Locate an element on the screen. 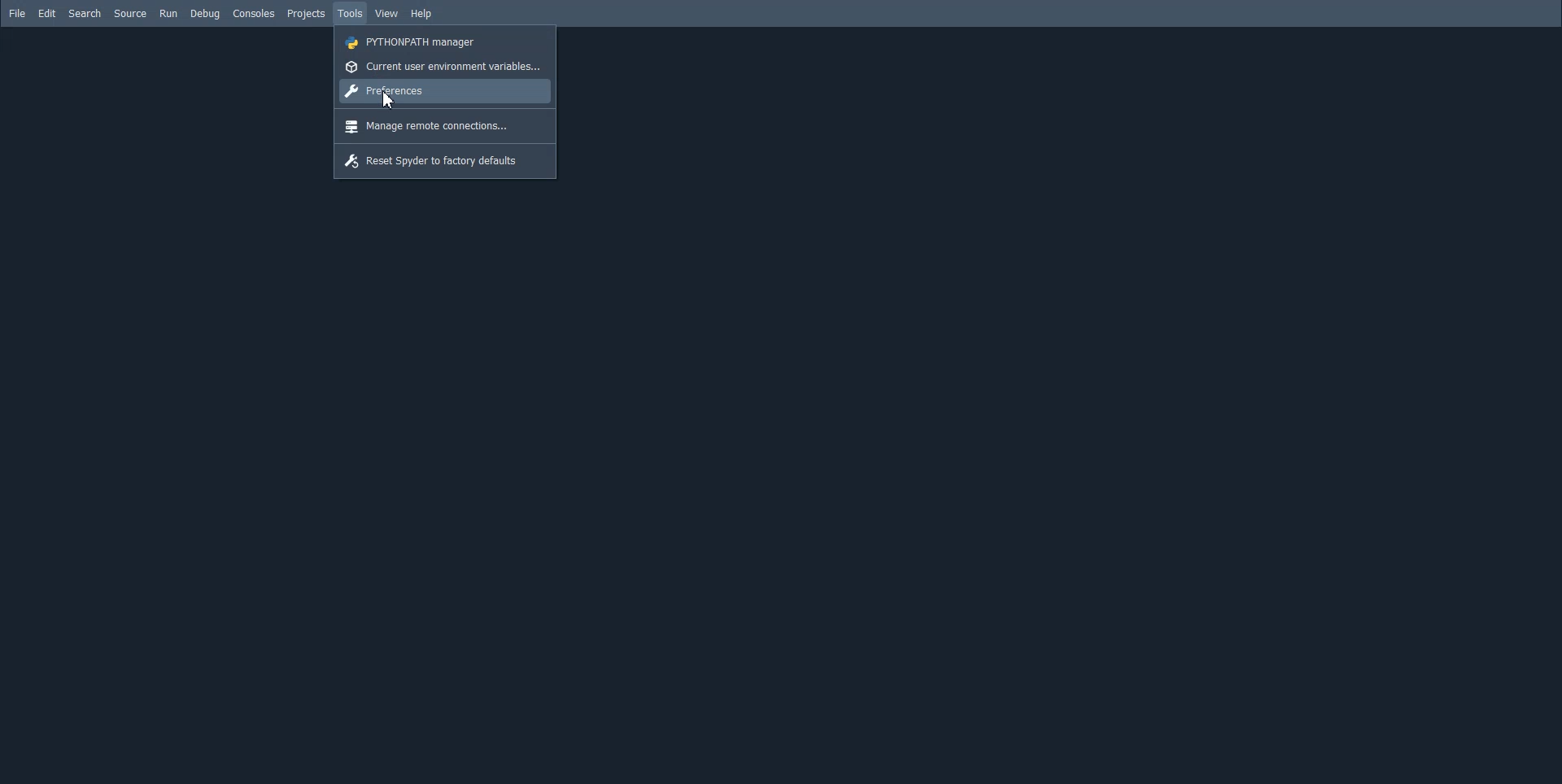  PYTHONPATH manager is located at coordinates (446, 41).